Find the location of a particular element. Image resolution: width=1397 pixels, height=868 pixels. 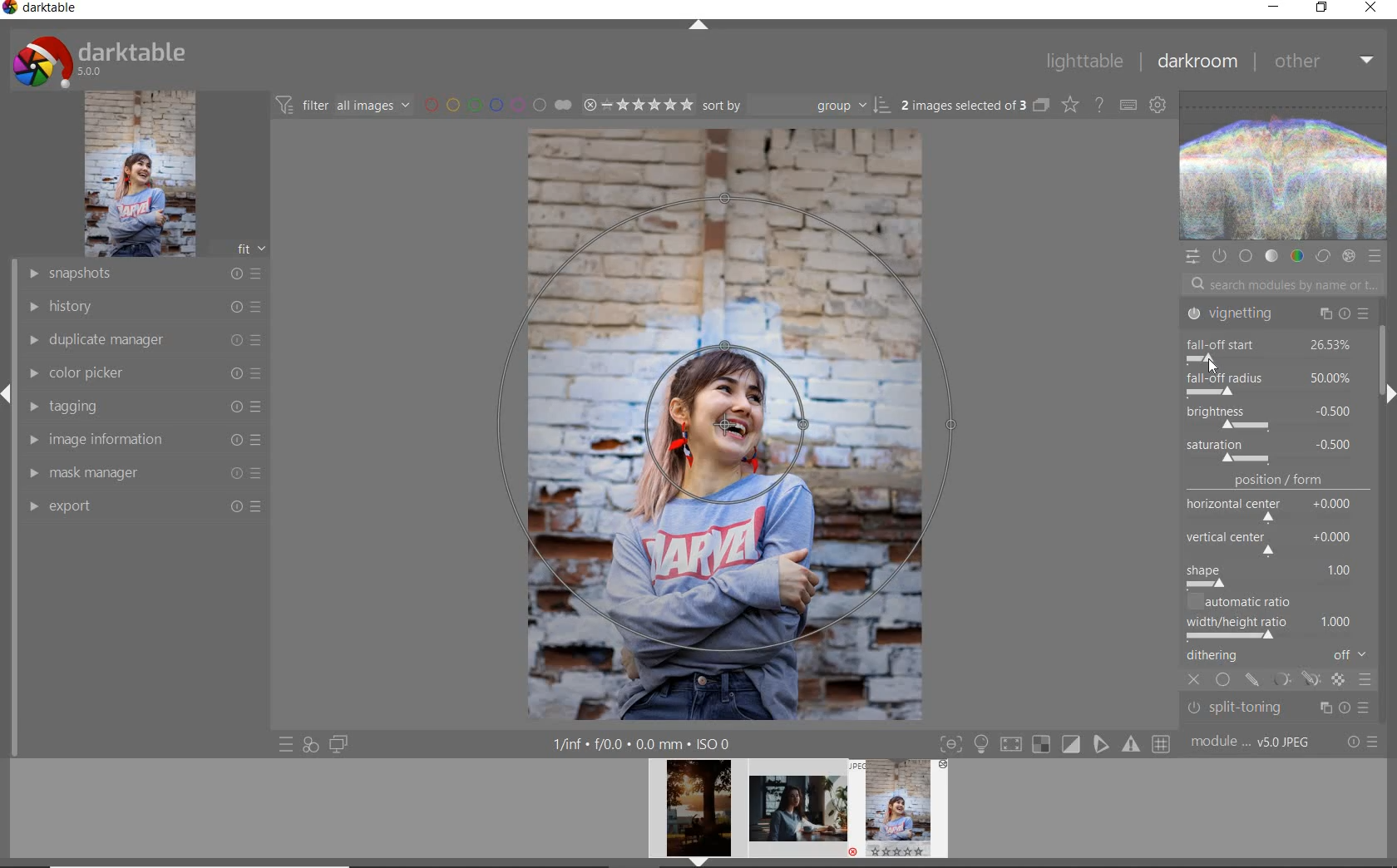

DEFINE KEYBOARD SHORTCUTS is located at coordinates (1128, 105).